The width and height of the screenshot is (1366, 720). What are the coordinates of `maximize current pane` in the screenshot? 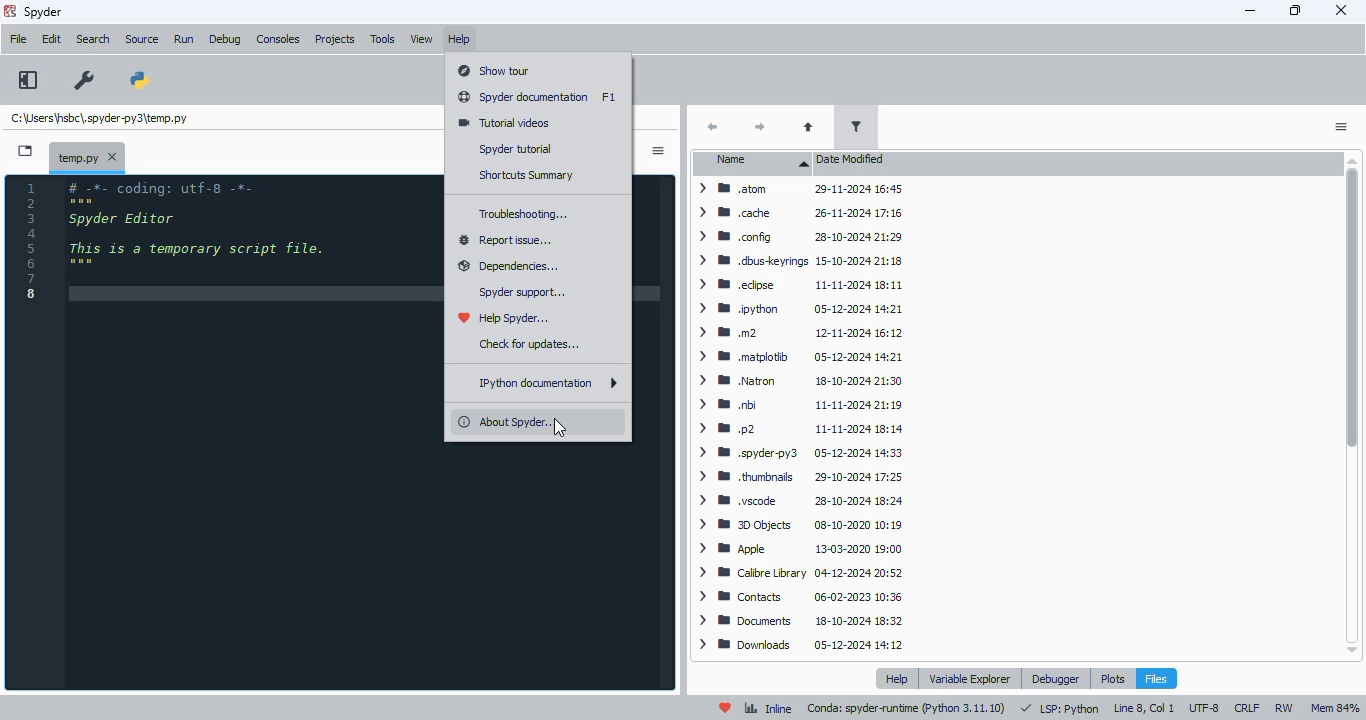 It's located at (27, 80).